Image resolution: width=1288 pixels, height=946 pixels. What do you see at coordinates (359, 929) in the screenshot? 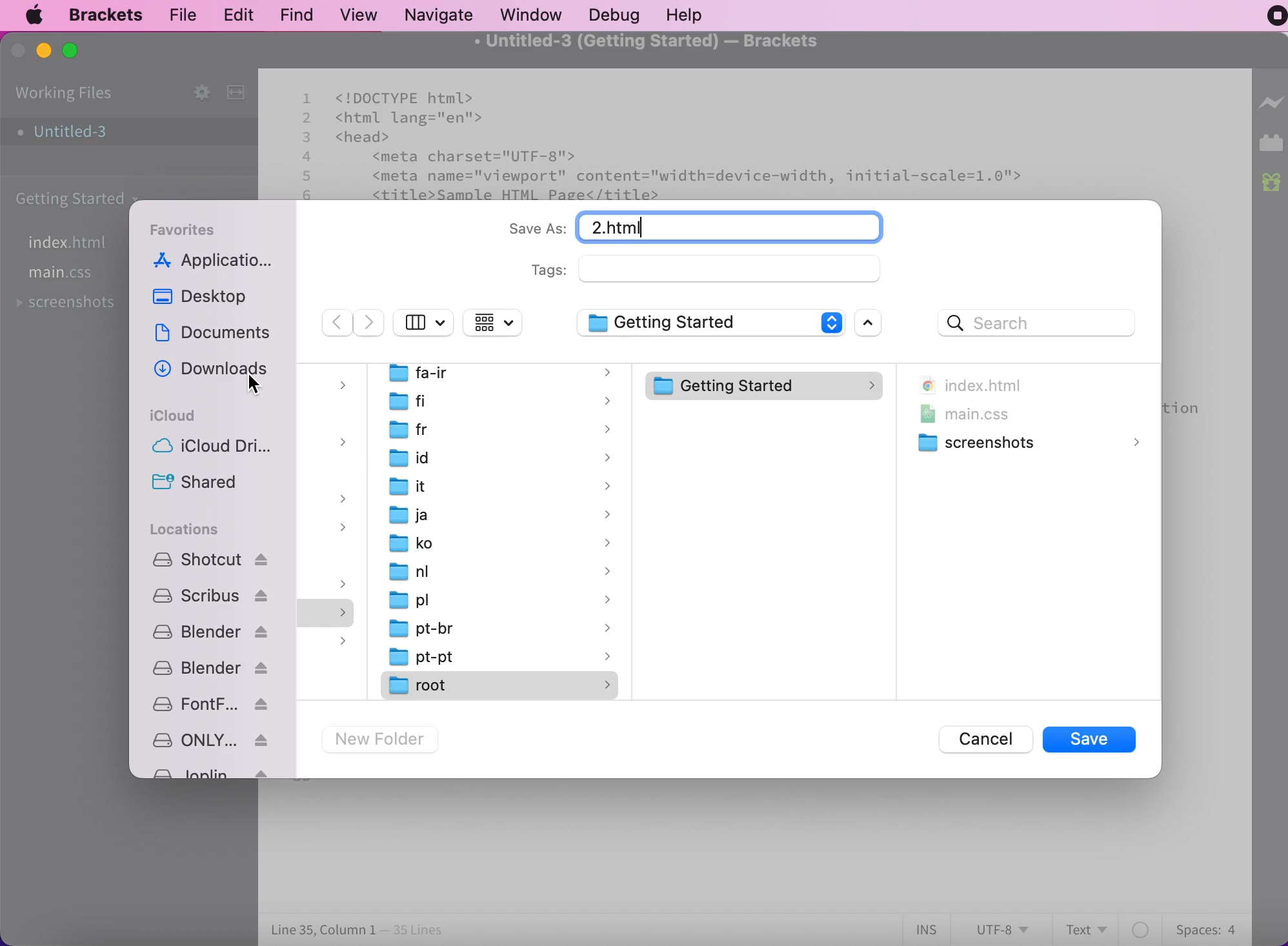
I see `line 35, column 1 - 35 lines` at bounding box center [359, 929].